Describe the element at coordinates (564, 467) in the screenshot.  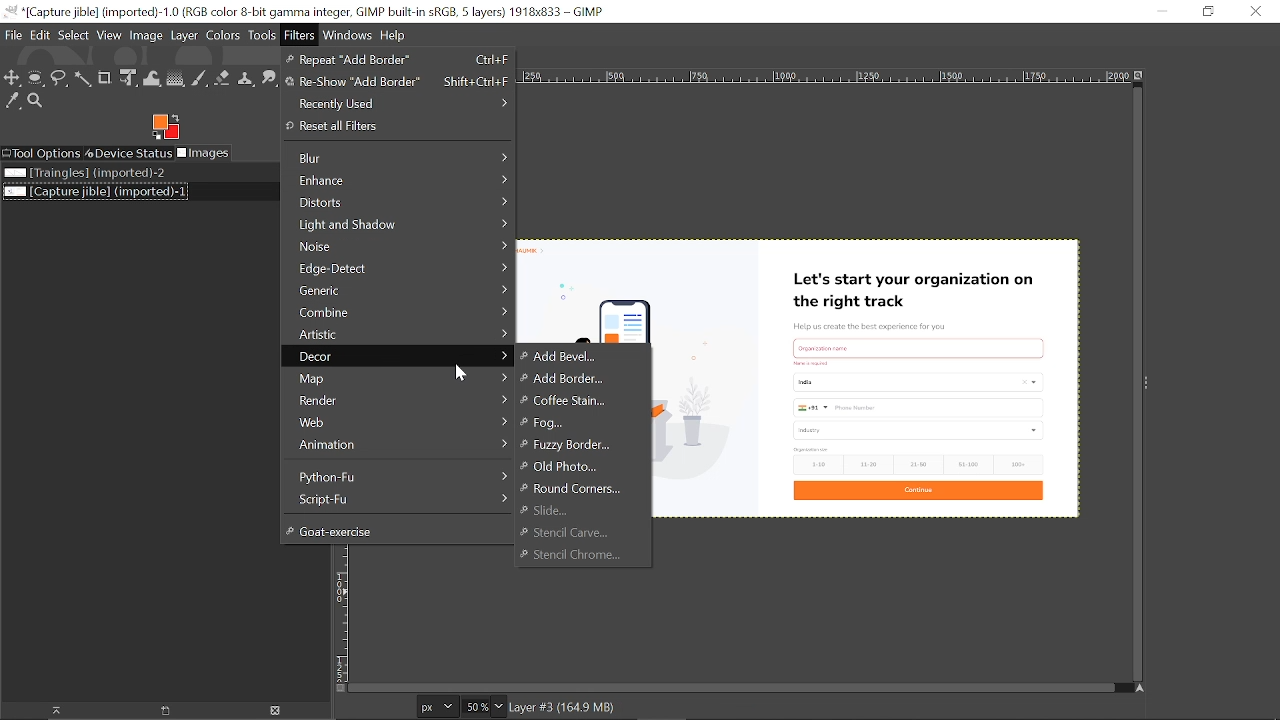
I see `Old Photo` at that location.